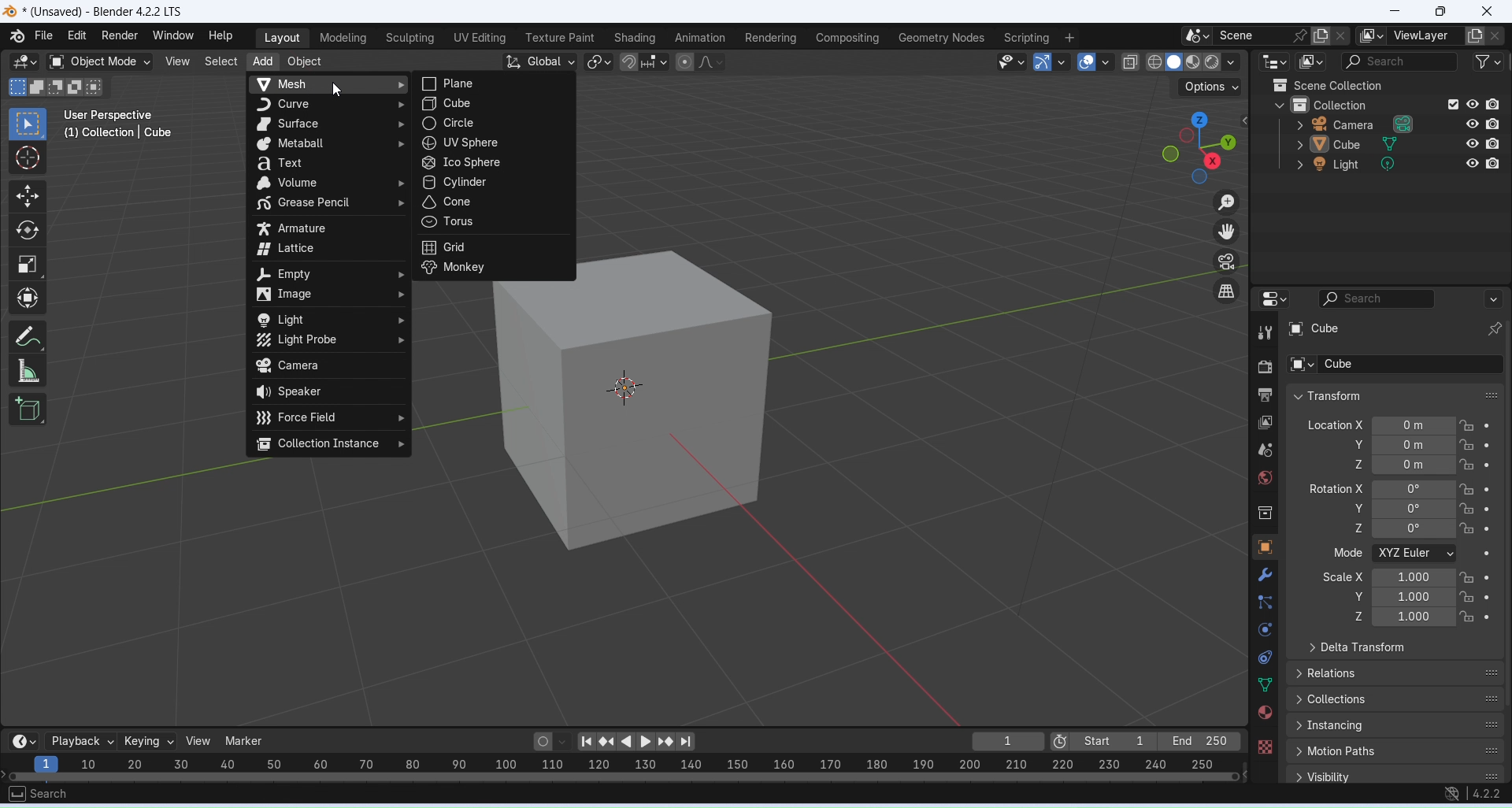 The image size is (1512, 808). Describe the element at coordinates (645, 743) in the screenshot. I see `Play animation` at that location.